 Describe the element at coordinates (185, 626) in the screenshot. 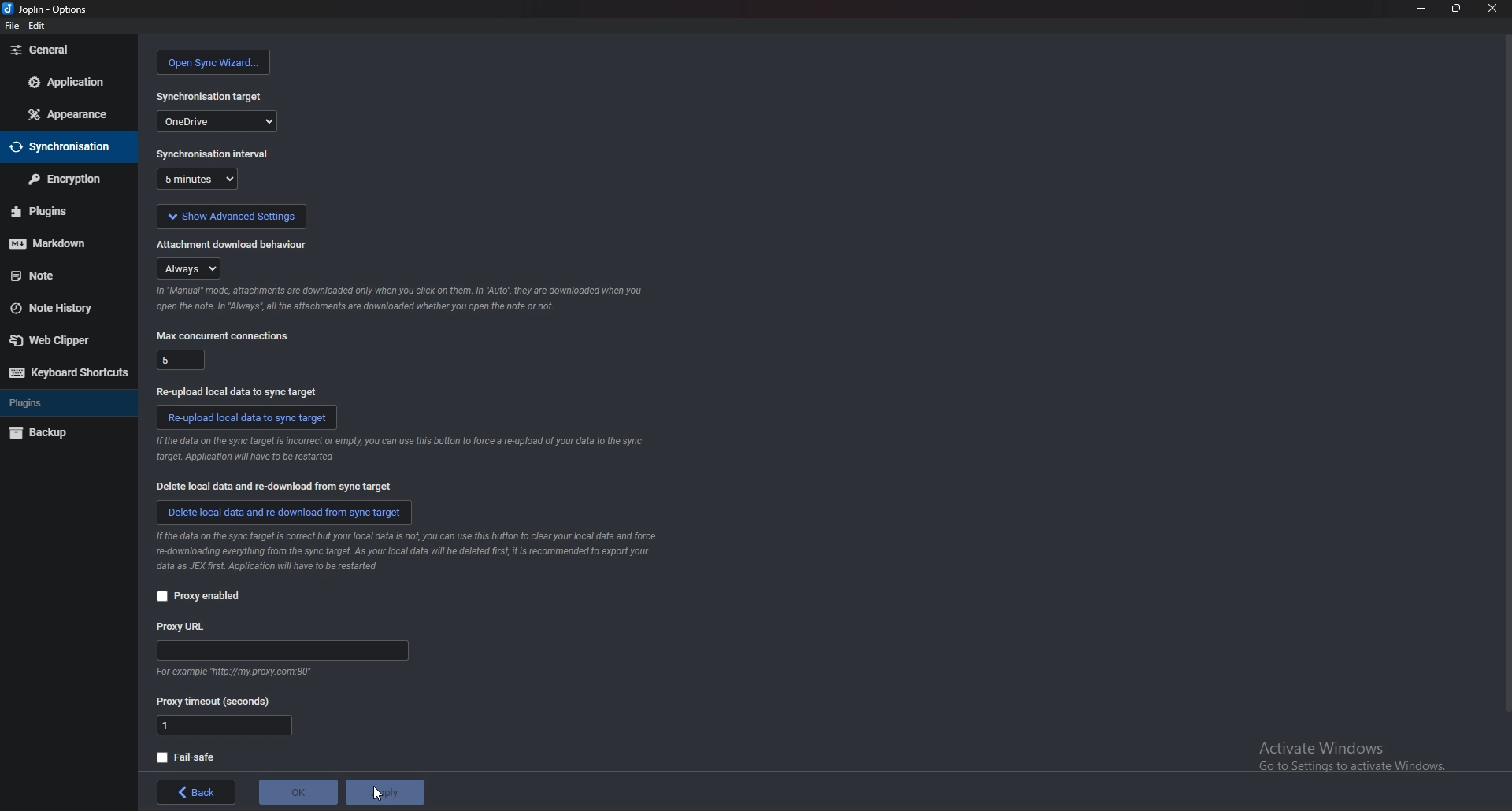

I see `proxy url` at that location.